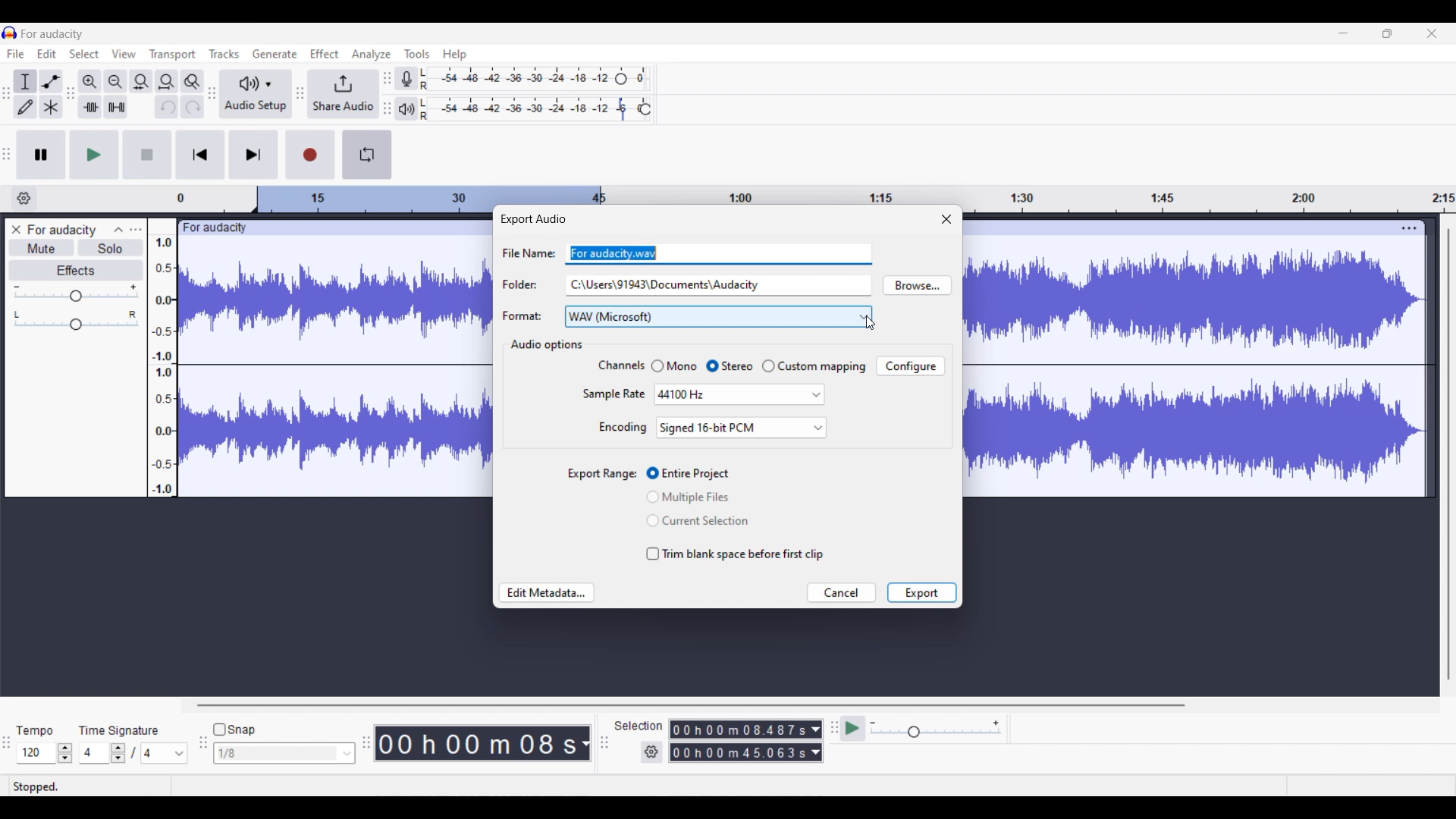  I want to click on Project name - For audacity, so click(53, 34).